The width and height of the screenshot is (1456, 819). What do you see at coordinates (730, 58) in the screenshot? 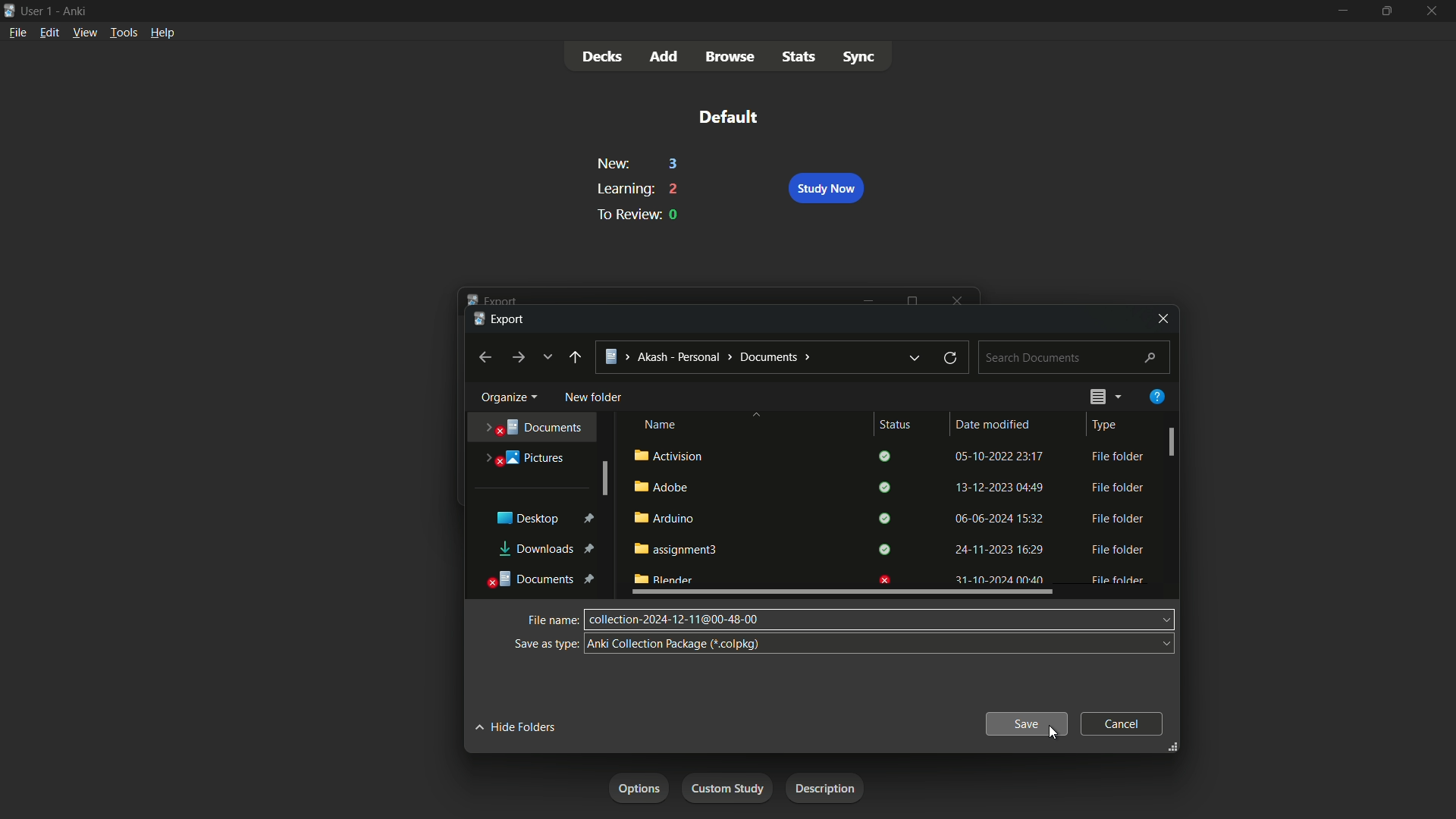
I see `browse` at bounding box center [730, 58].